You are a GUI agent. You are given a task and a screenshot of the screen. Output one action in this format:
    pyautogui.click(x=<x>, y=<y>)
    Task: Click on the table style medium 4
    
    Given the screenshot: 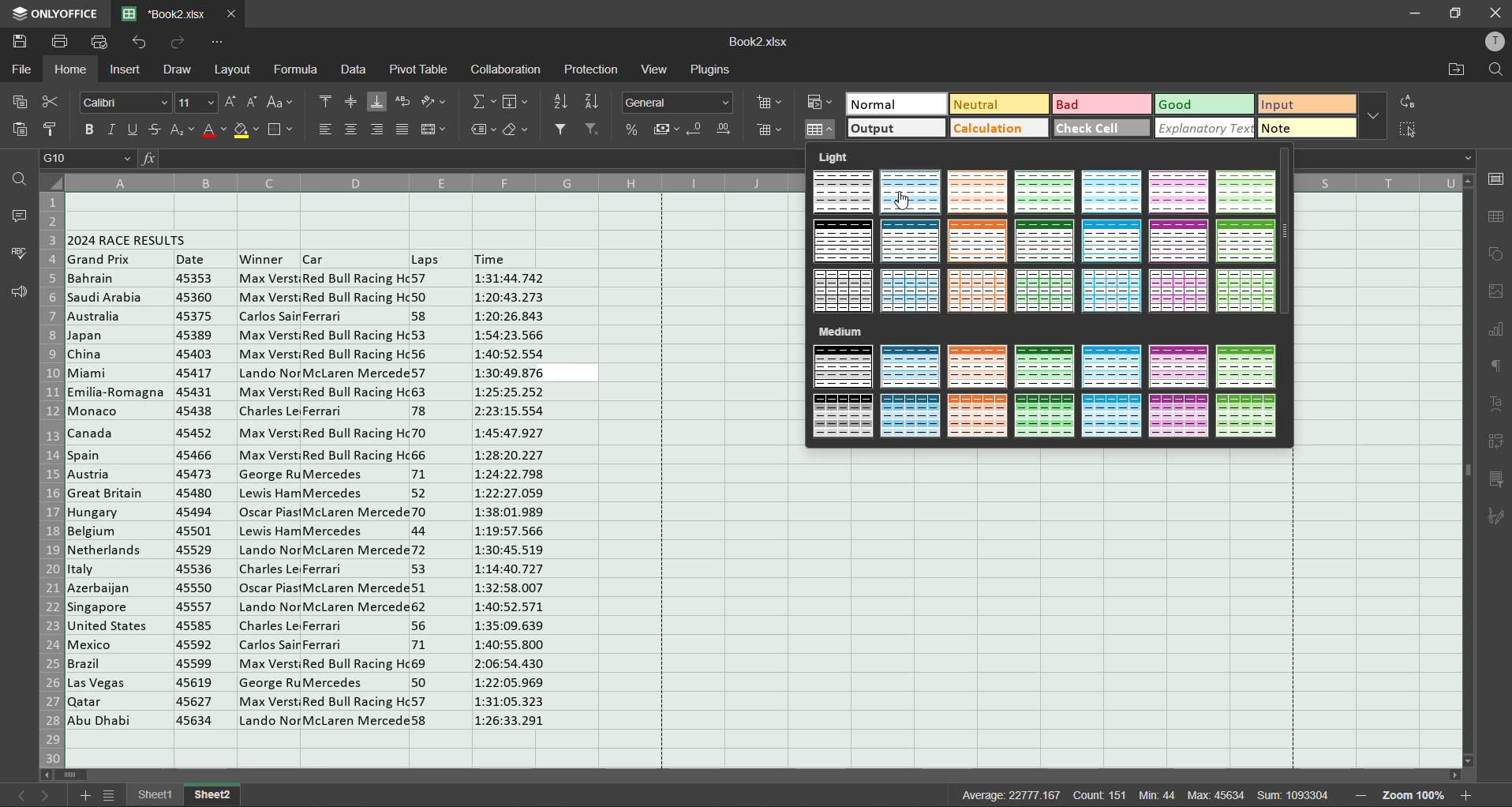 What is the action you would take?
    pyautogui.click(x=1044, y=368)
    